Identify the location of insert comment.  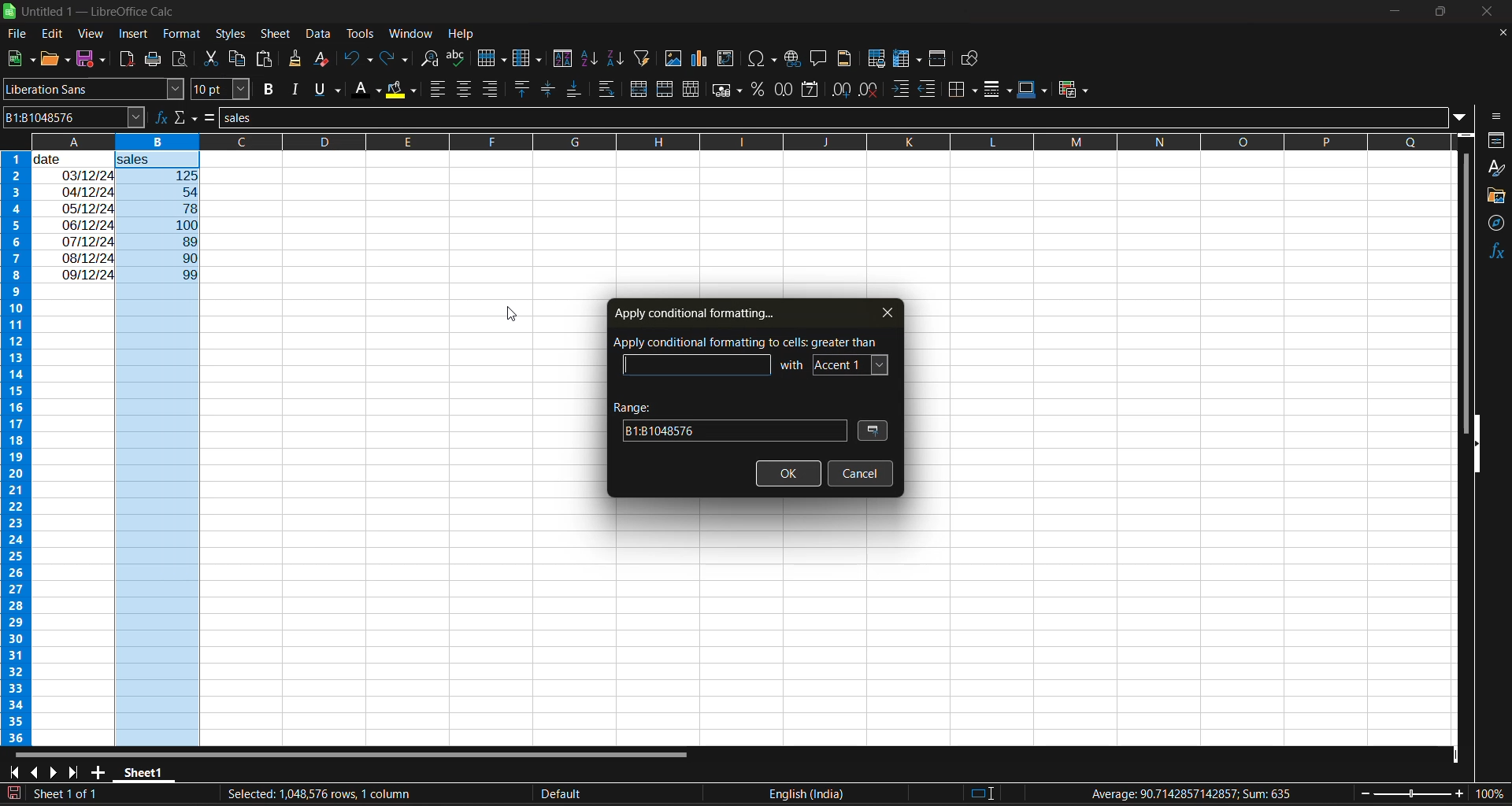
(820, 59).